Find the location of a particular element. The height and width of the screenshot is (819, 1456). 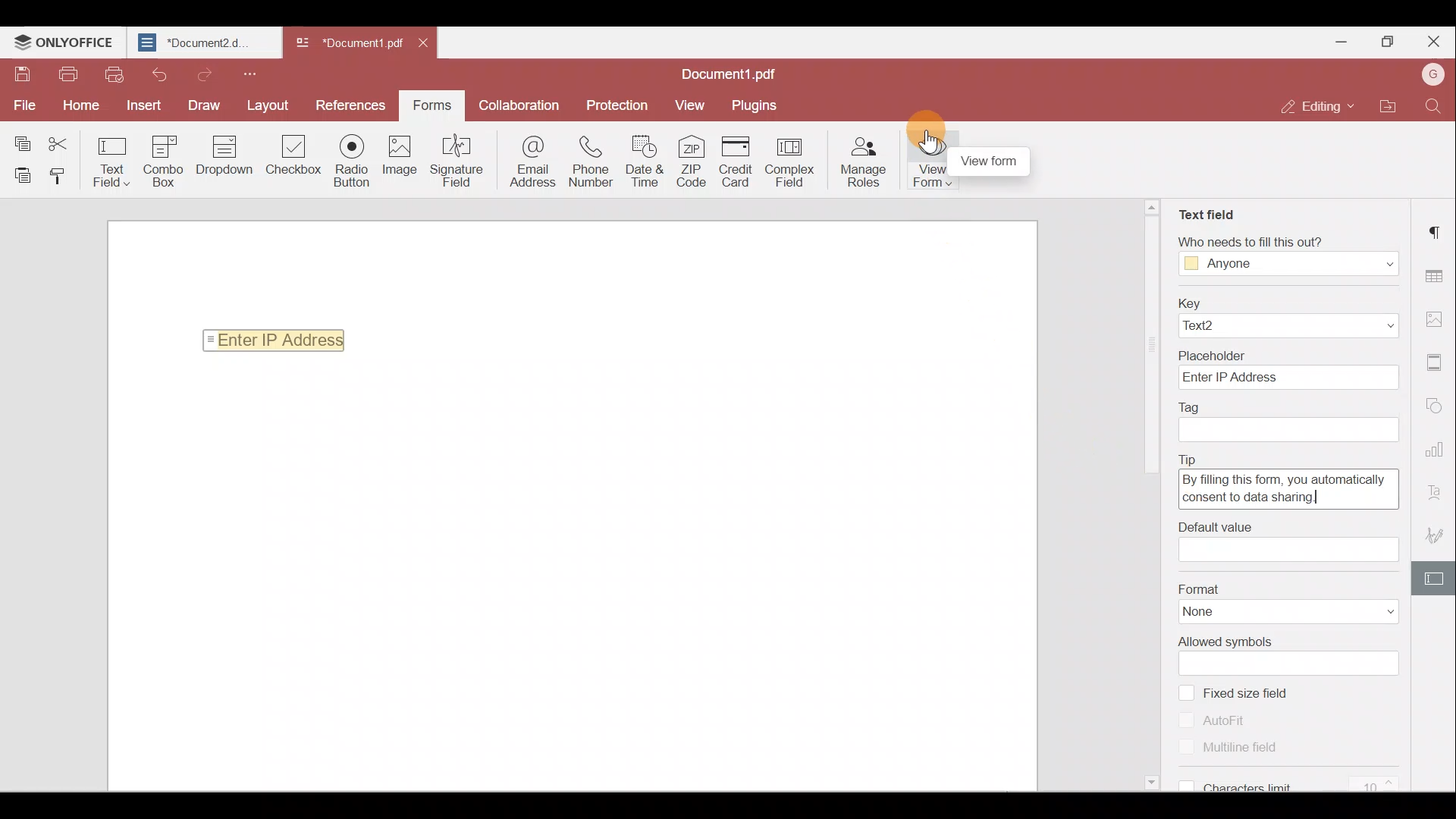

Plugins is located at coordinates (757, 105).